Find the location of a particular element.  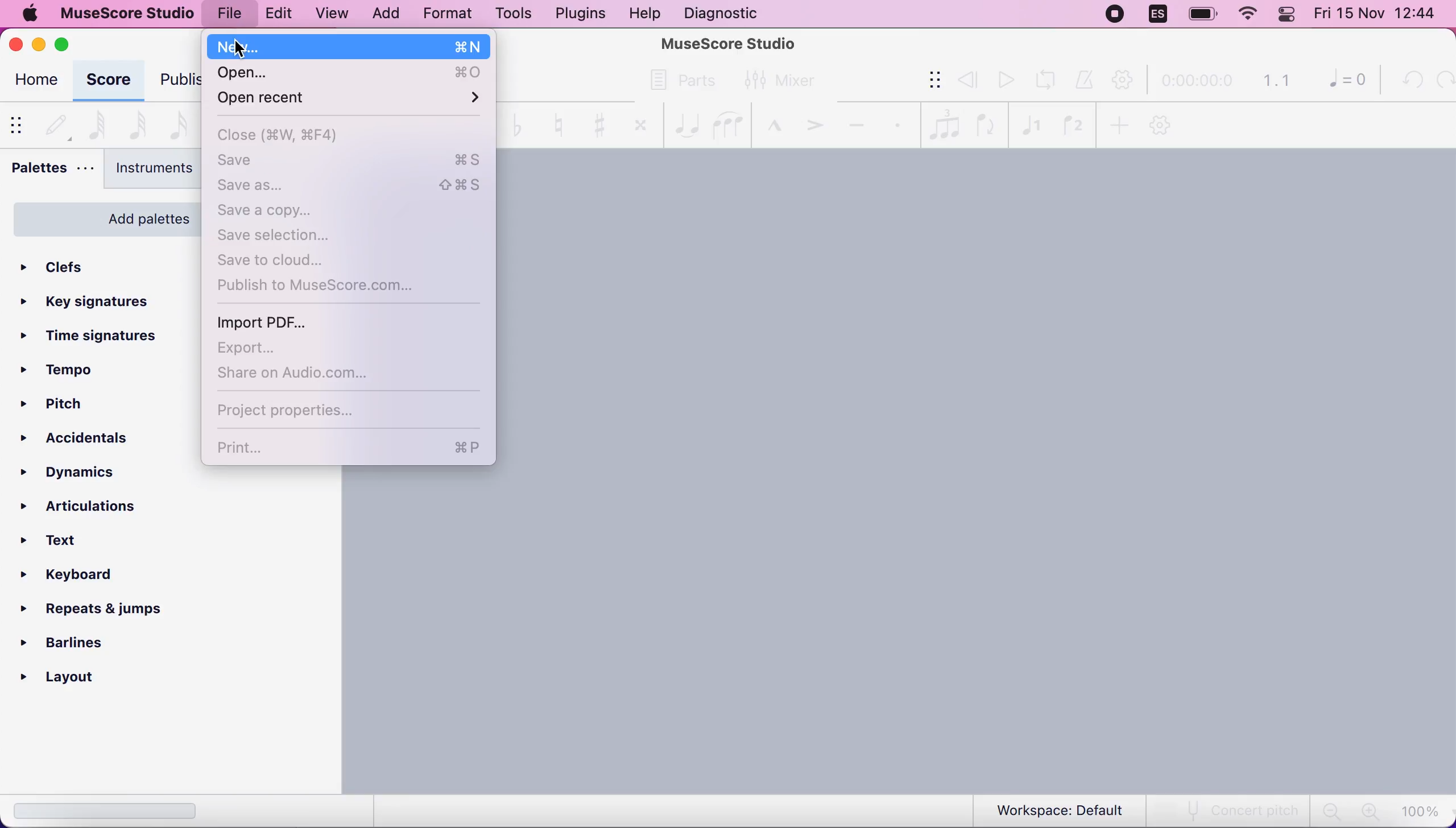

concert pitch is located at coordinates (1230, 810).